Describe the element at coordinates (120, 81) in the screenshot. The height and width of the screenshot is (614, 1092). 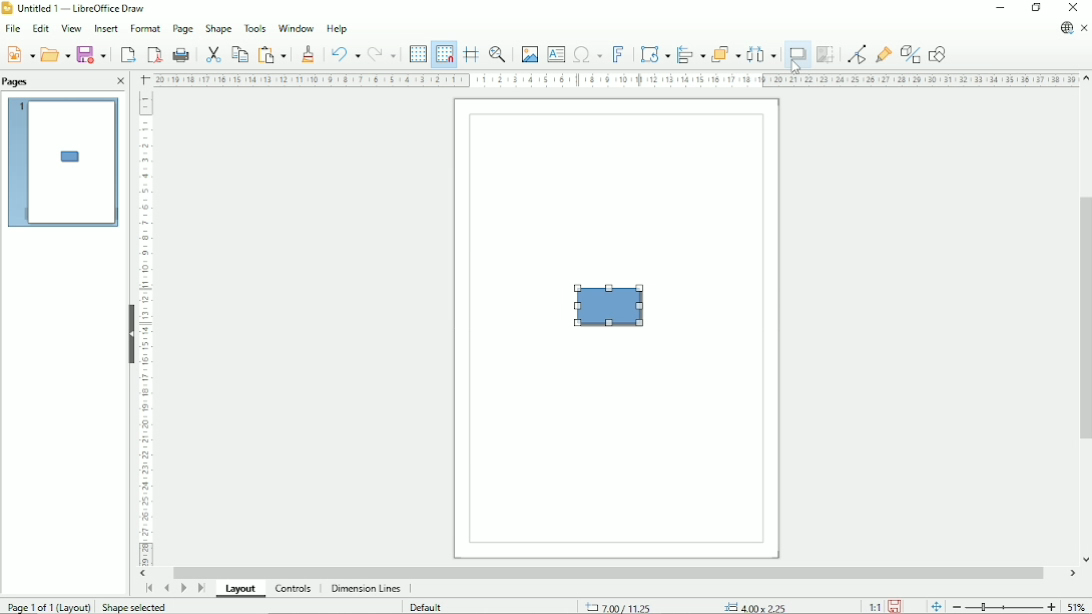
I see `Close` at that location.